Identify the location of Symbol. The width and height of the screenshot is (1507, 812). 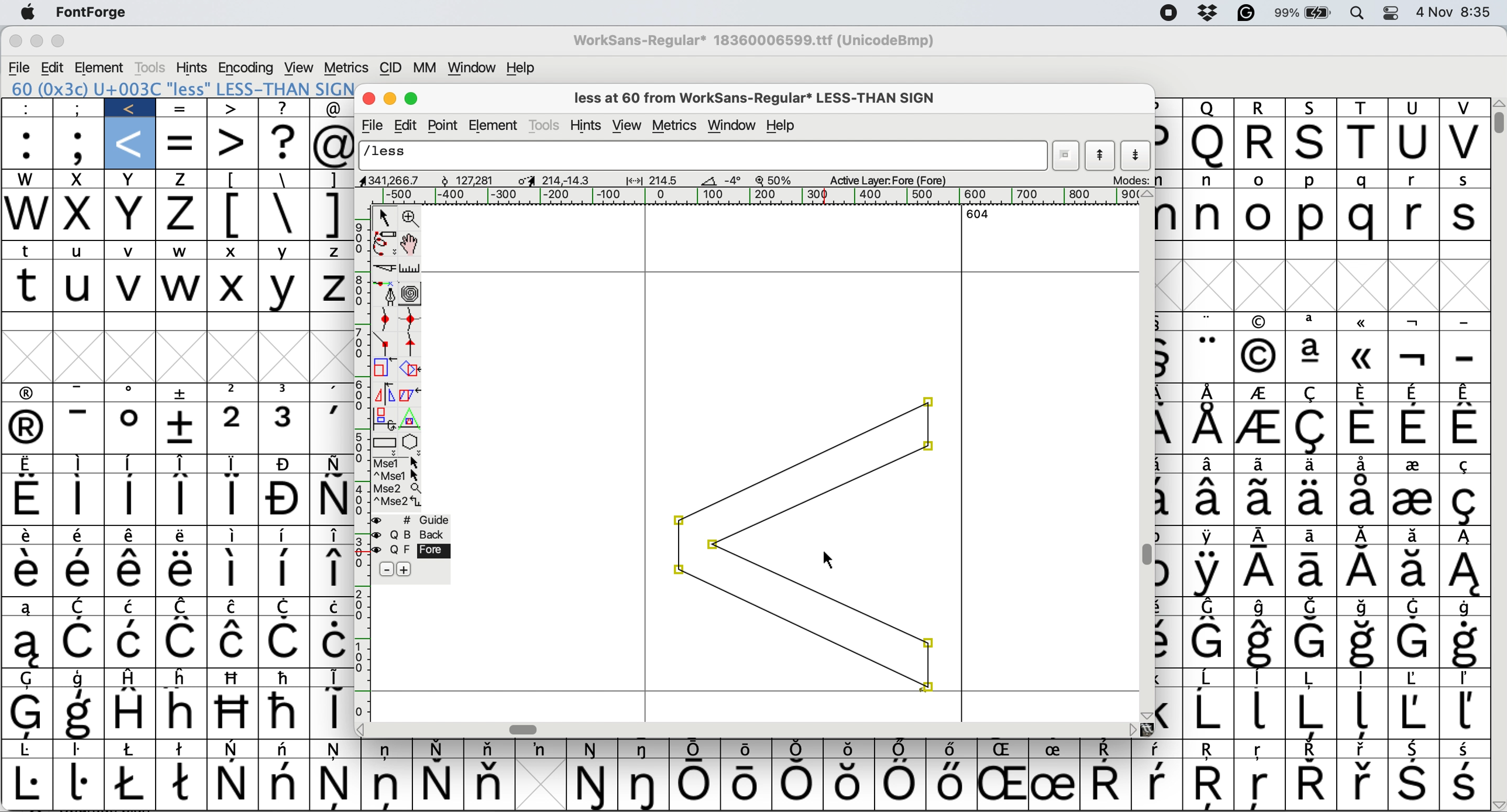
(1054, 783).